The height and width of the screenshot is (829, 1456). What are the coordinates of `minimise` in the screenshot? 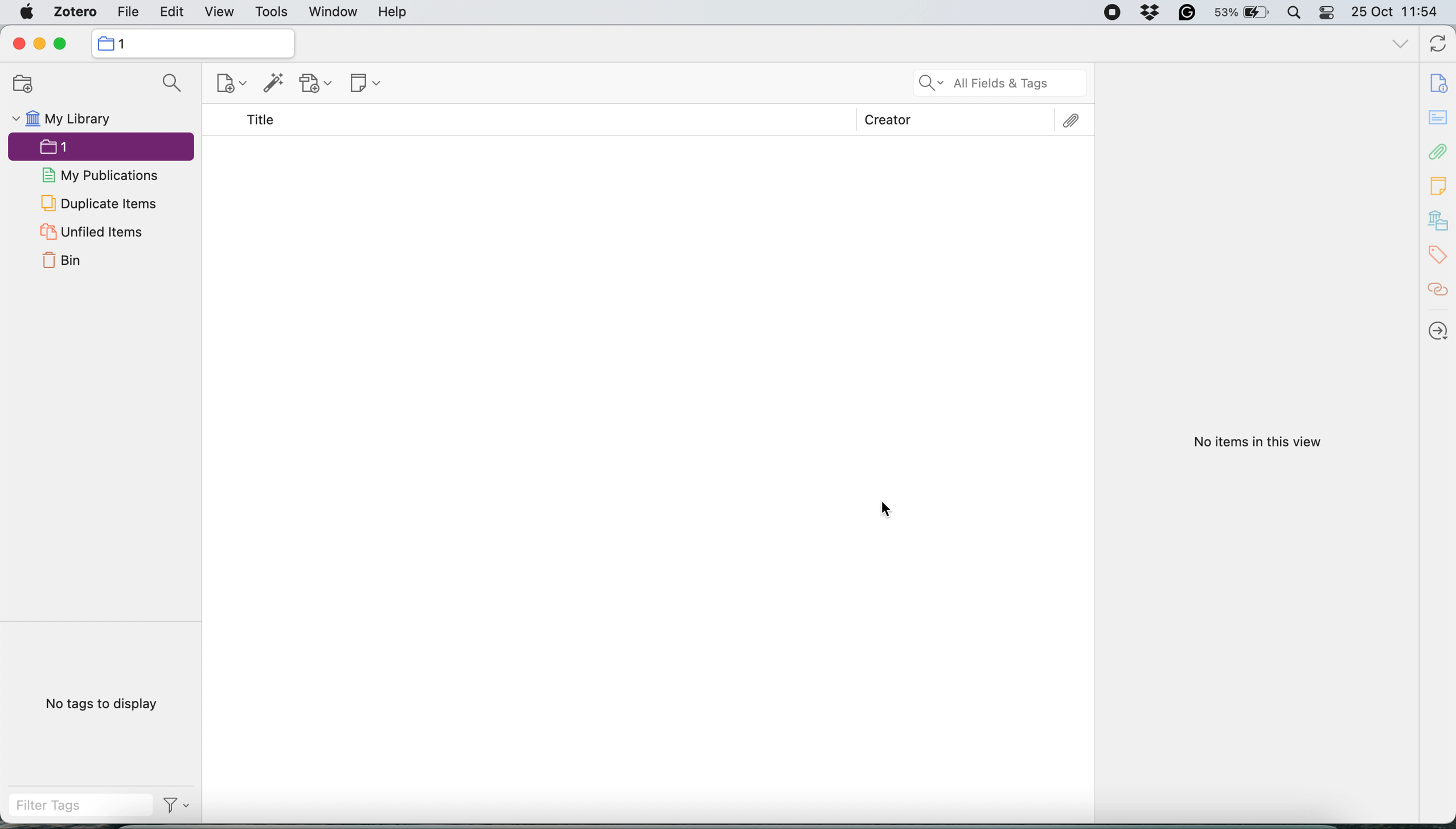 It's located at (41, 44).